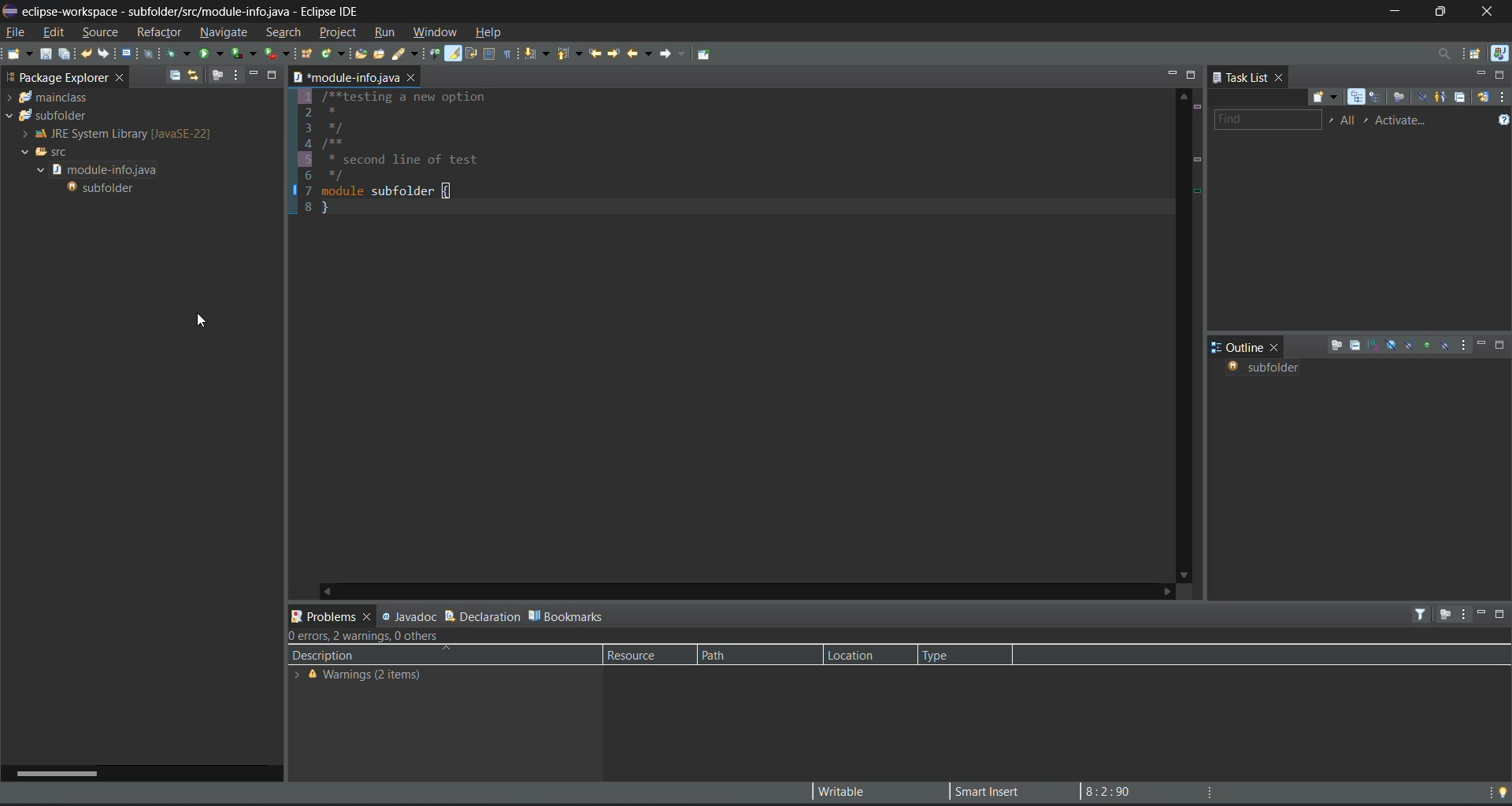 The width and height of the screenshot is (1512, 806). What do you see at coordinates (428, 154) in the screenshot?
I see `1 /**testing a new option 2 * 3 */ 4 /** 5 * second line of test 6 */ 7 module subfolder{ 8 }` at bounding box center [428, 154].